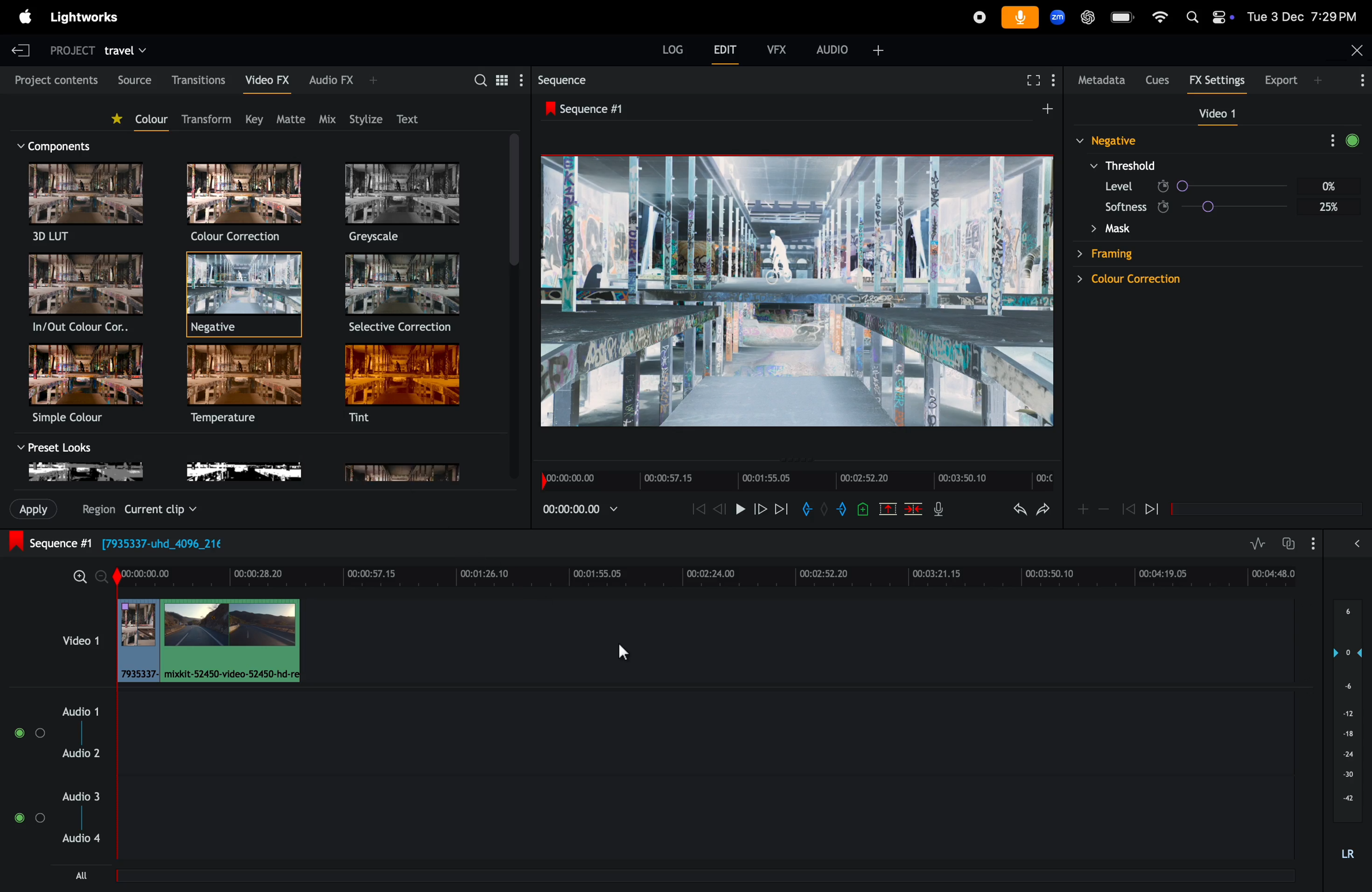 The height and width of the screenshot is (892, 1372). Describe the element at coordinates (210, 117) in the screenshot. I see `transform` at that location.